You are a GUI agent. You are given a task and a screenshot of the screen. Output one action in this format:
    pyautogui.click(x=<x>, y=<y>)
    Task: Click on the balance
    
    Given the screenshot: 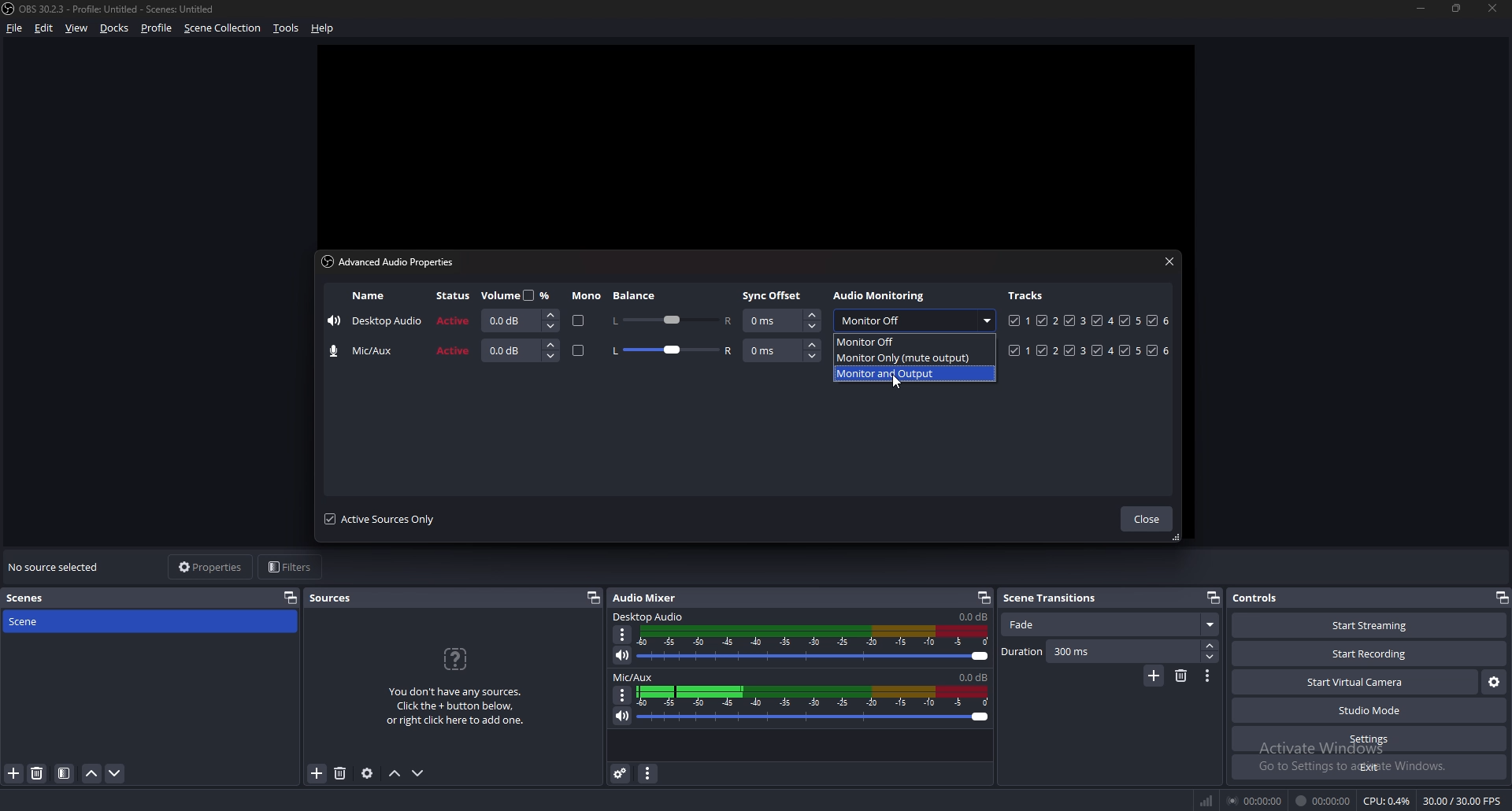 What is the action you would take?
    pyautogui.click(x=636, y=295)
    